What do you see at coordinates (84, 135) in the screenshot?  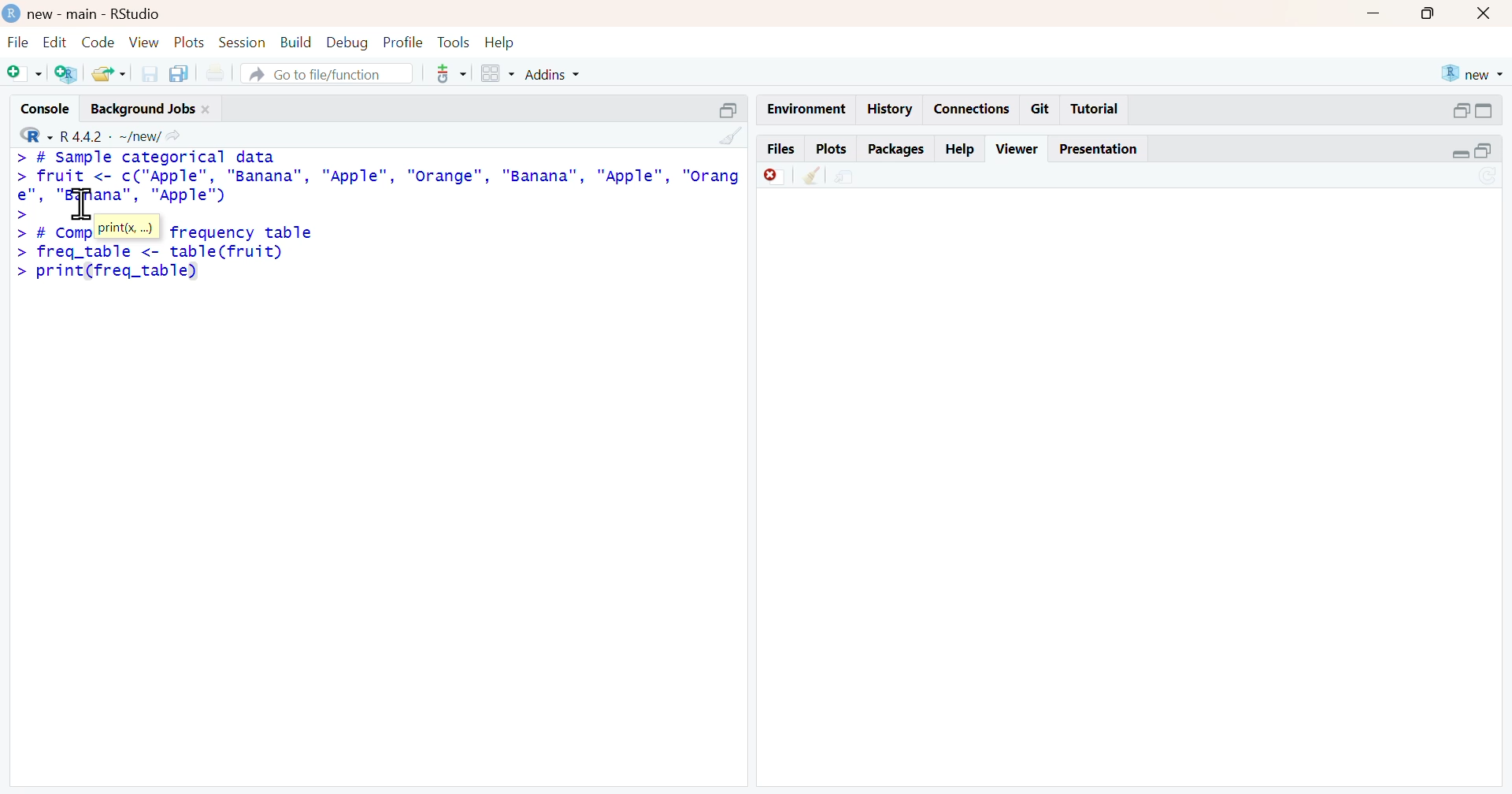 I see `R 4.4.2 - new` at bounding box center [84, 135].